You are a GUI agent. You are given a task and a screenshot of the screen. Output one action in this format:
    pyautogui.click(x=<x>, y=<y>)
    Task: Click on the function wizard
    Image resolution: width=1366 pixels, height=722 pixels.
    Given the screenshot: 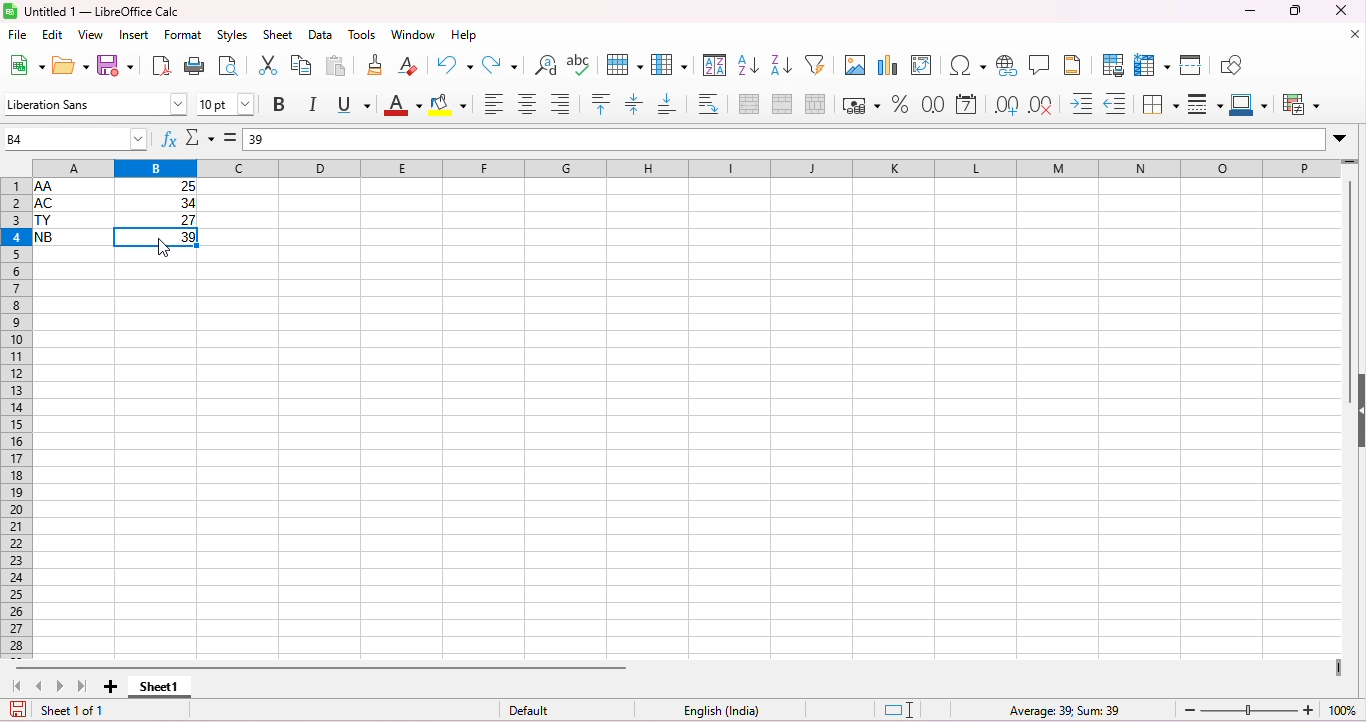 What is the action you would take?
    pyautogui.click(x=170, y=140)
    